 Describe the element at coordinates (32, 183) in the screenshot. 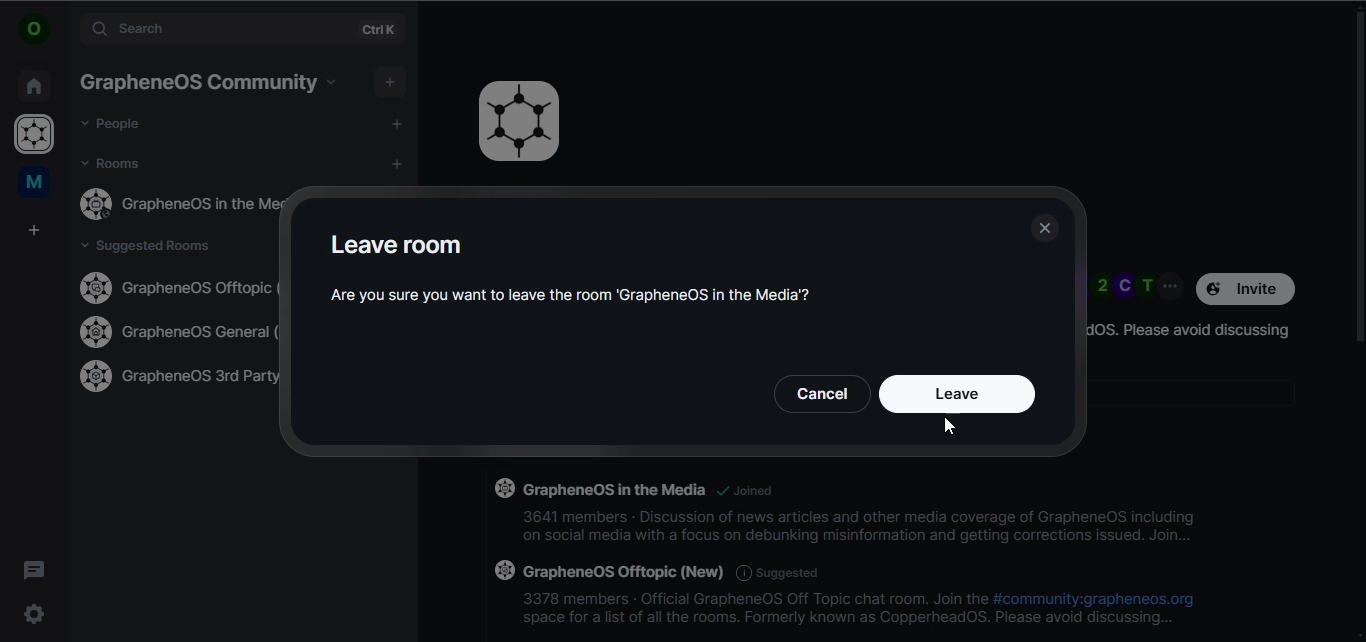

I see `me` at that location.